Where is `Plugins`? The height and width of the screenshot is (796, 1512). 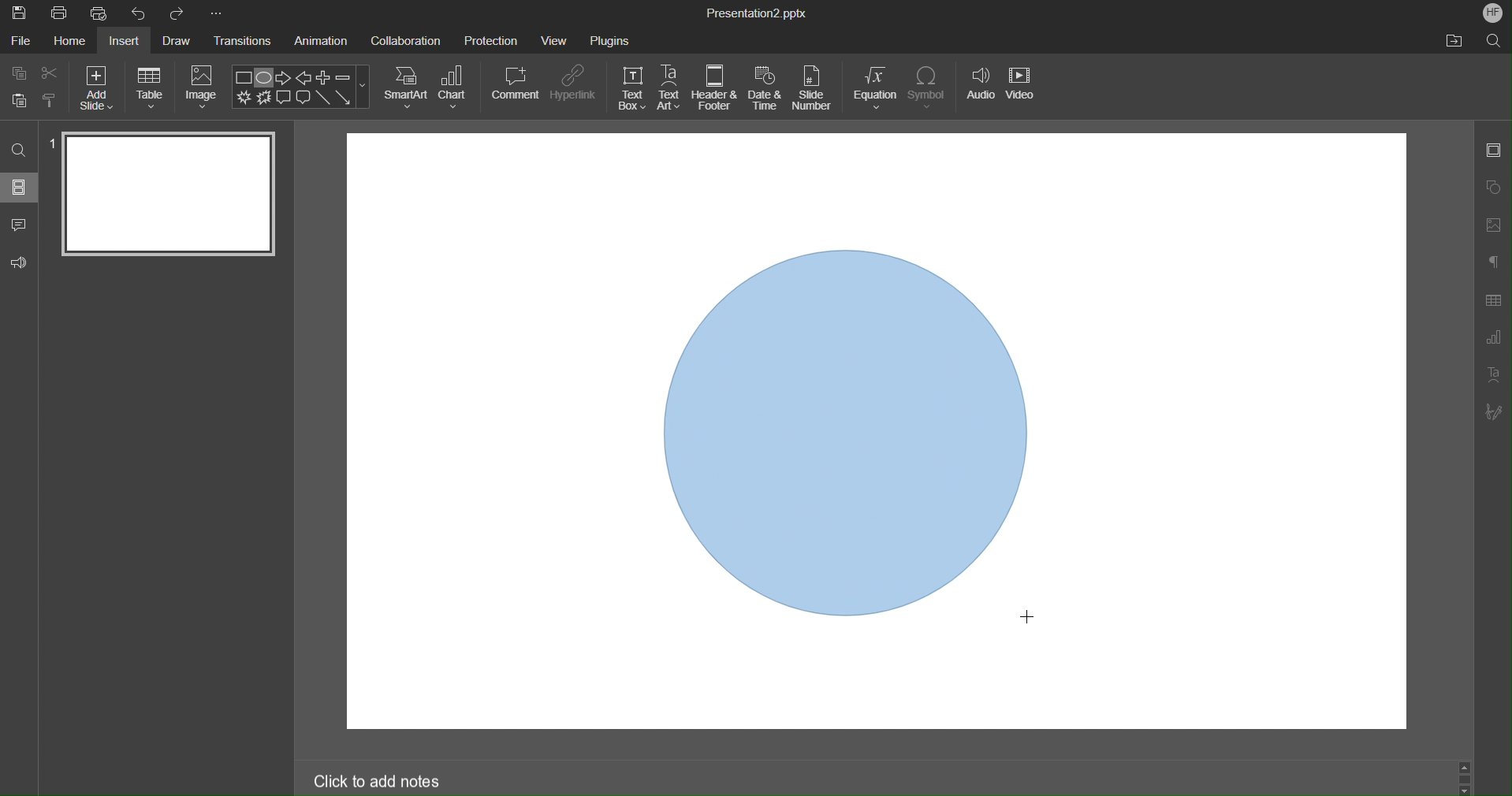
Plugins is located at coordinates (610, 38).